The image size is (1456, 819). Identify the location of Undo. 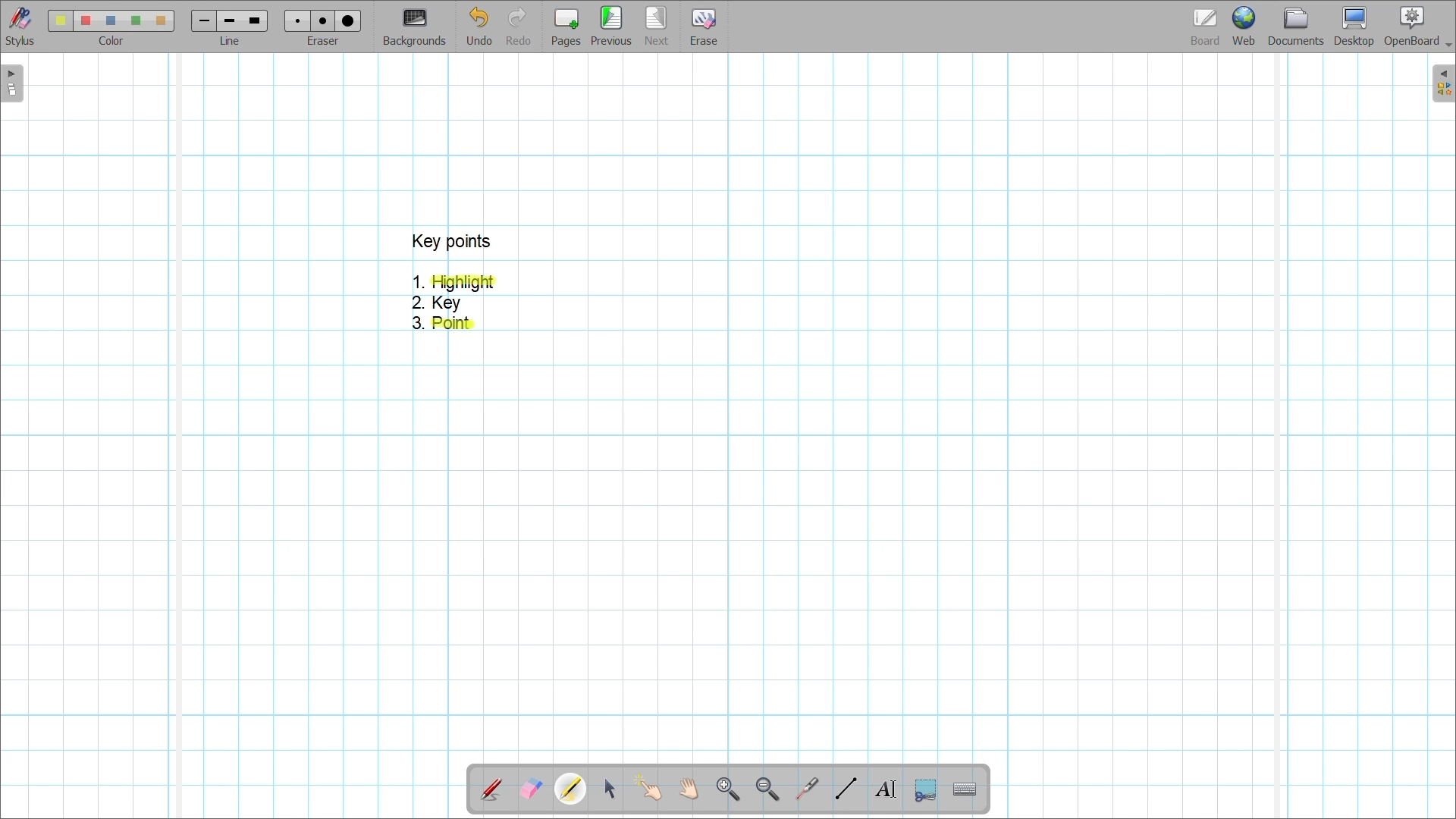
(480, 26).